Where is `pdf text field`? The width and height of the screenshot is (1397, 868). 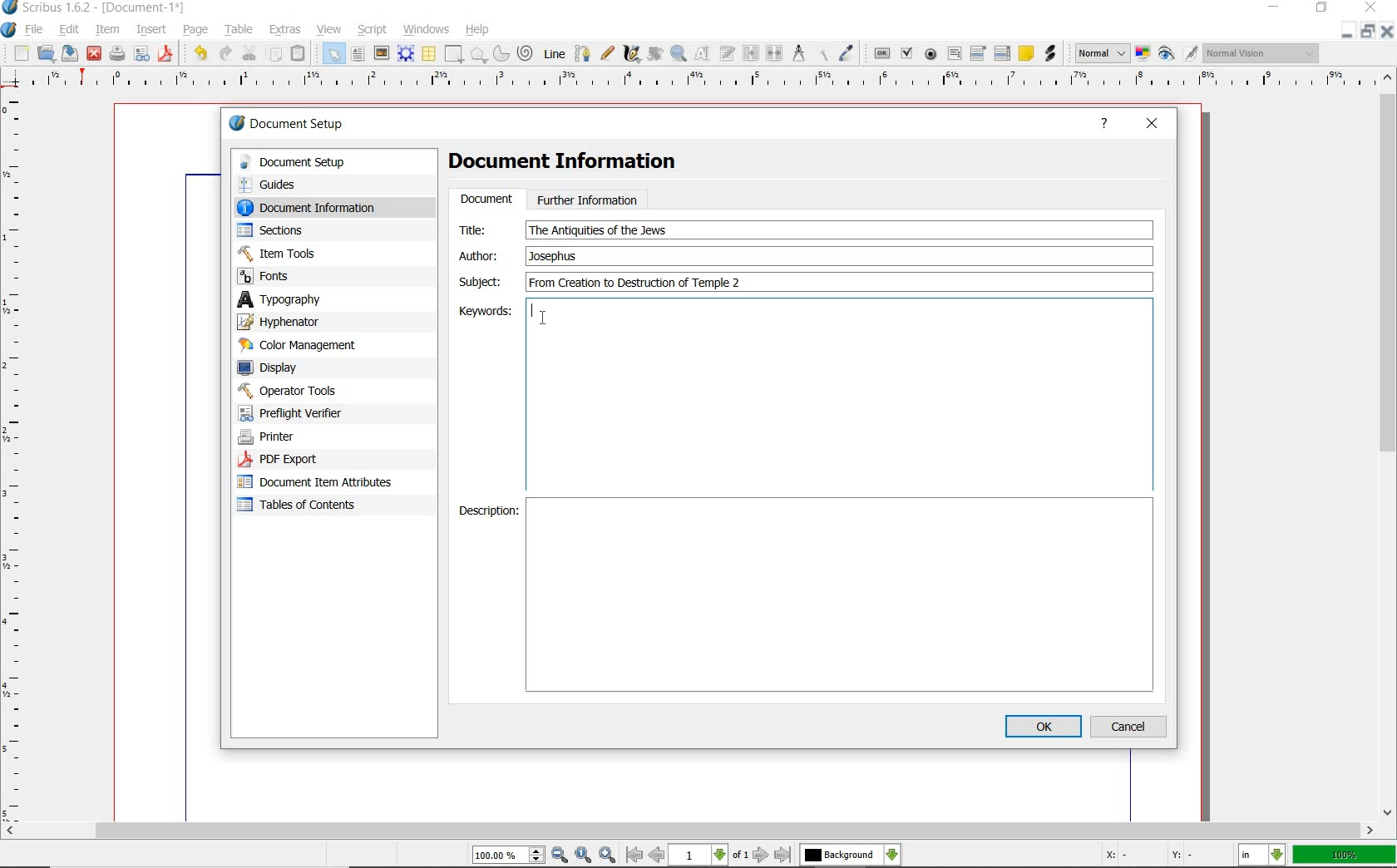
pdf text field is located at coordinates (954, 54).